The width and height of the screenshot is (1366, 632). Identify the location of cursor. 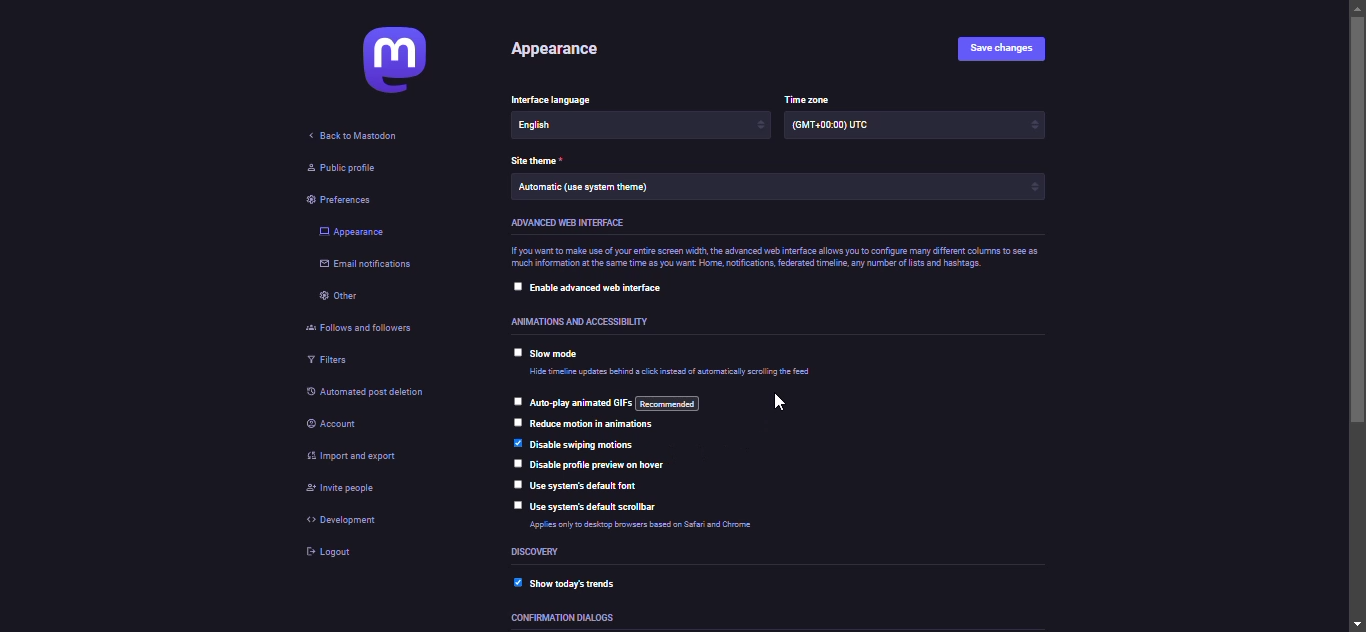
(779, 404).